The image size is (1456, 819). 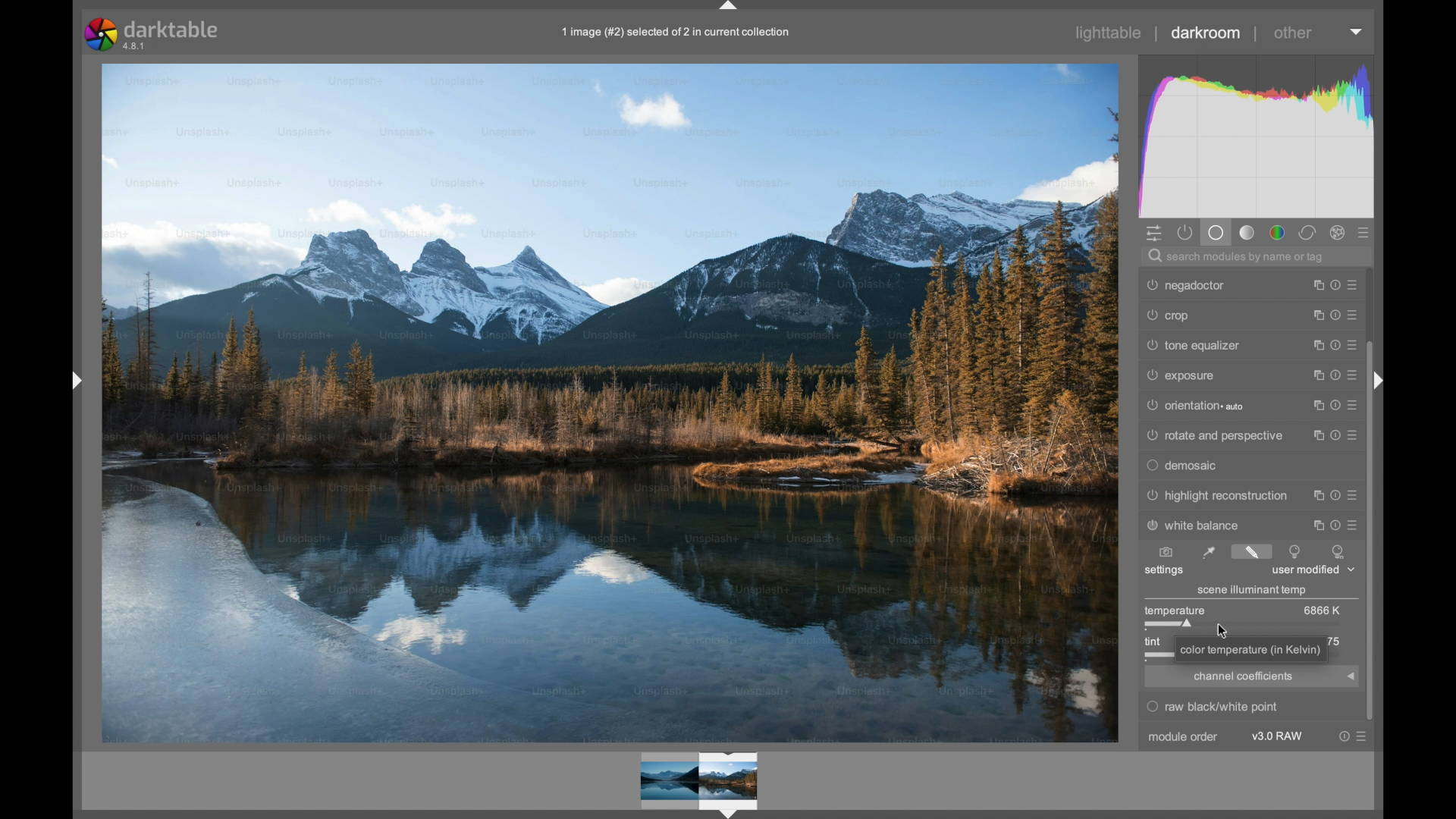 I want to click on tint, so click(x=1151, y=642).